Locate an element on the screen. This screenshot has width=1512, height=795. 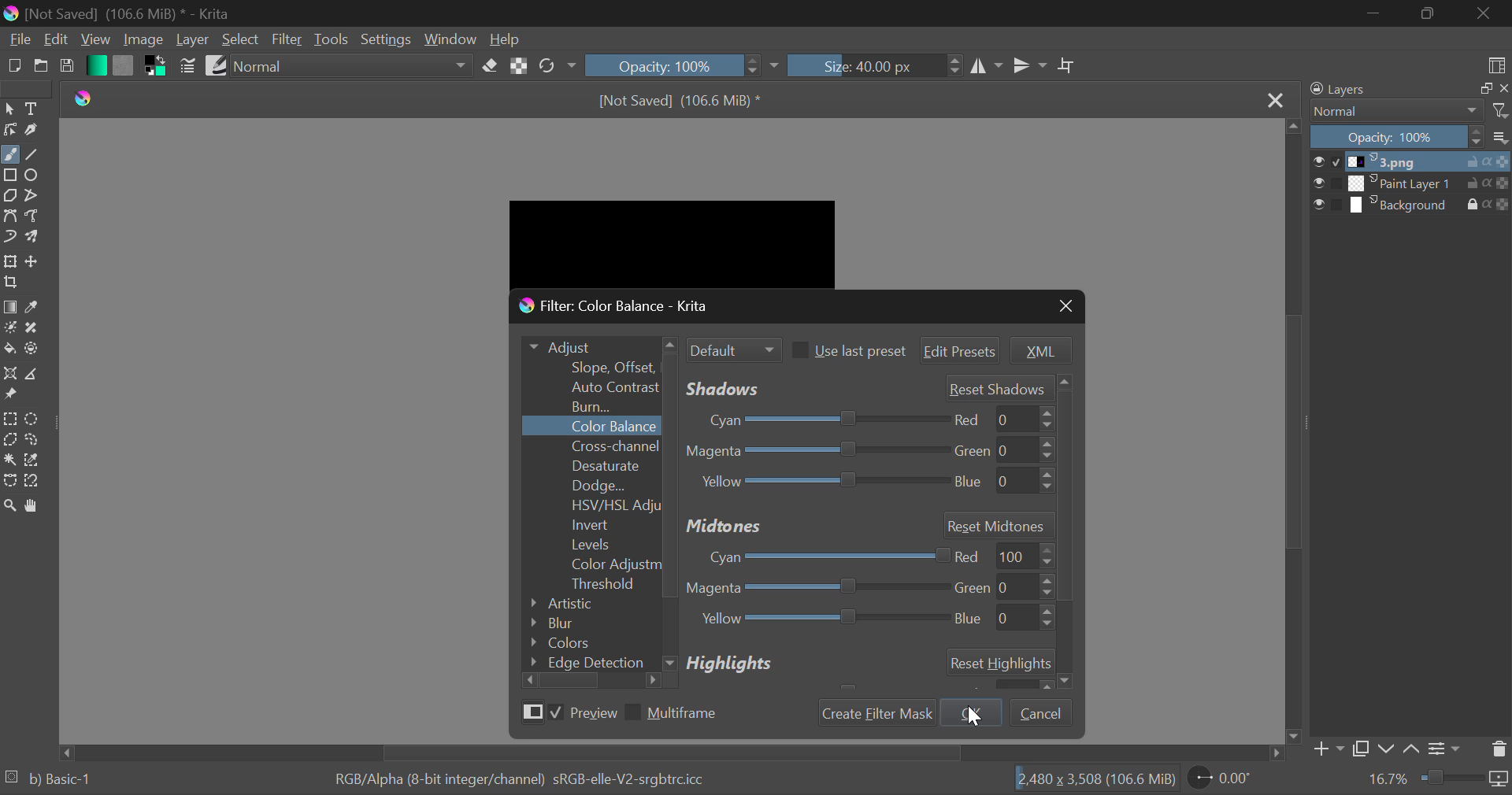
Freehand Tool is located at coordinates (9, 154).